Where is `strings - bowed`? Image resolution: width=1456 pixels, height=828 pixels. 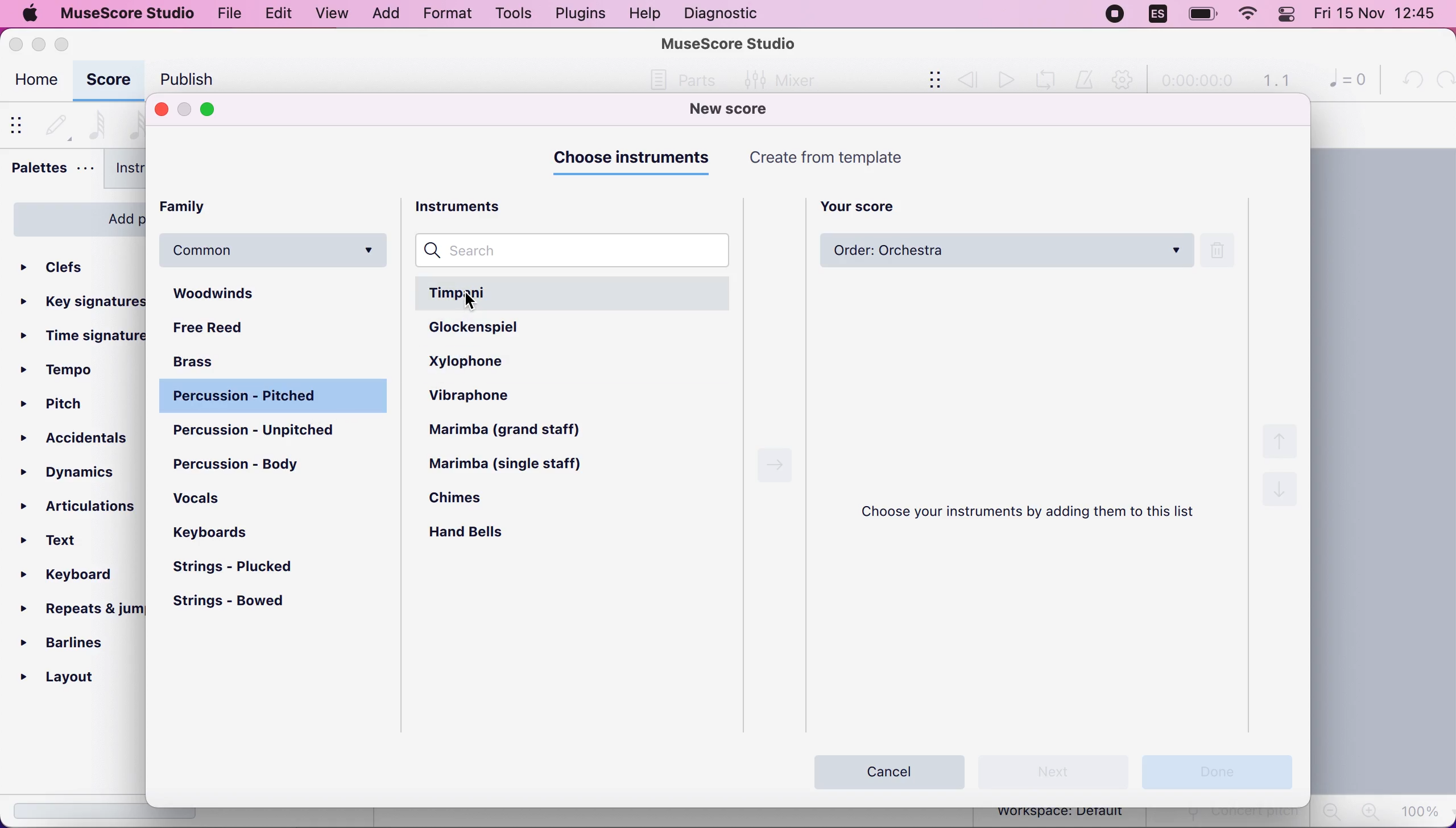 strings - bowed is located at coordinates (240, 603).